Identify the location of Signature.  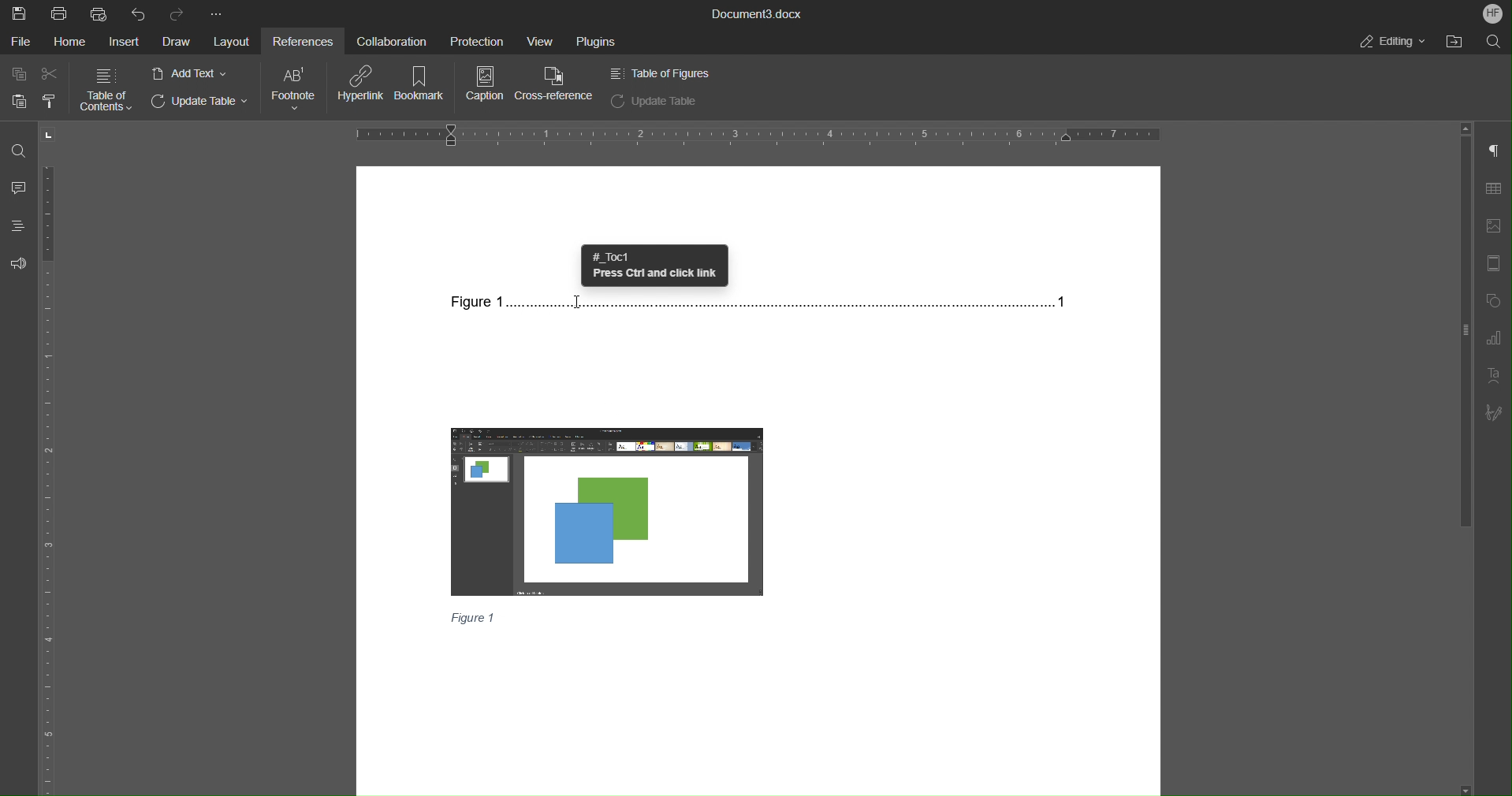
(1495, 415).